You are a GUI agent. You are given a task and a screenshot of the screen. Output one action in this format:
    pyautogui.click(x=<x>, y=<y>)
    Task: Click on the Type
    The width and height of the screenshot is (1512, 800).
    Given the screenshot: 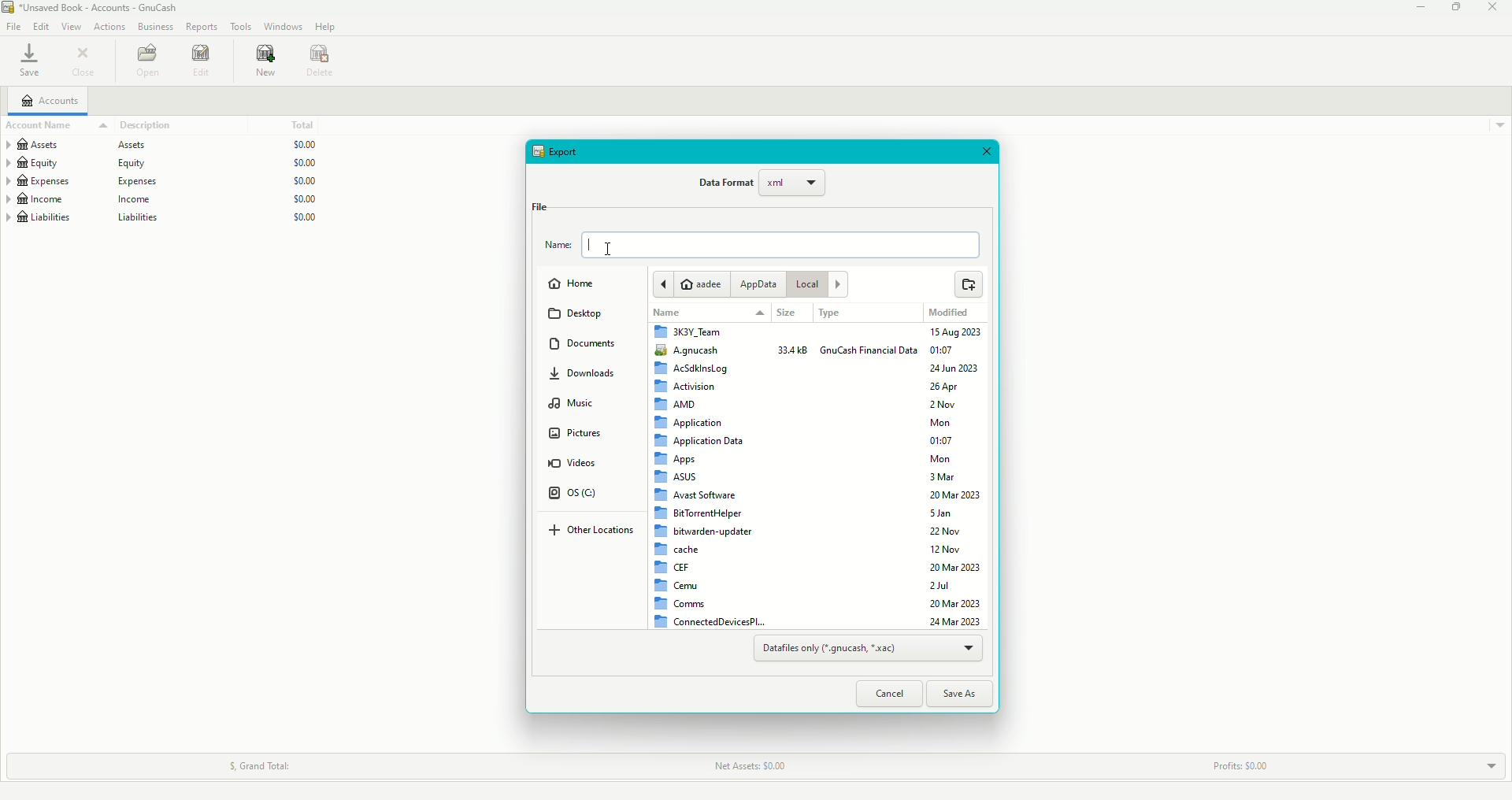 What is the action you would take?
    pyautogui.click(x=834, y=314)
    